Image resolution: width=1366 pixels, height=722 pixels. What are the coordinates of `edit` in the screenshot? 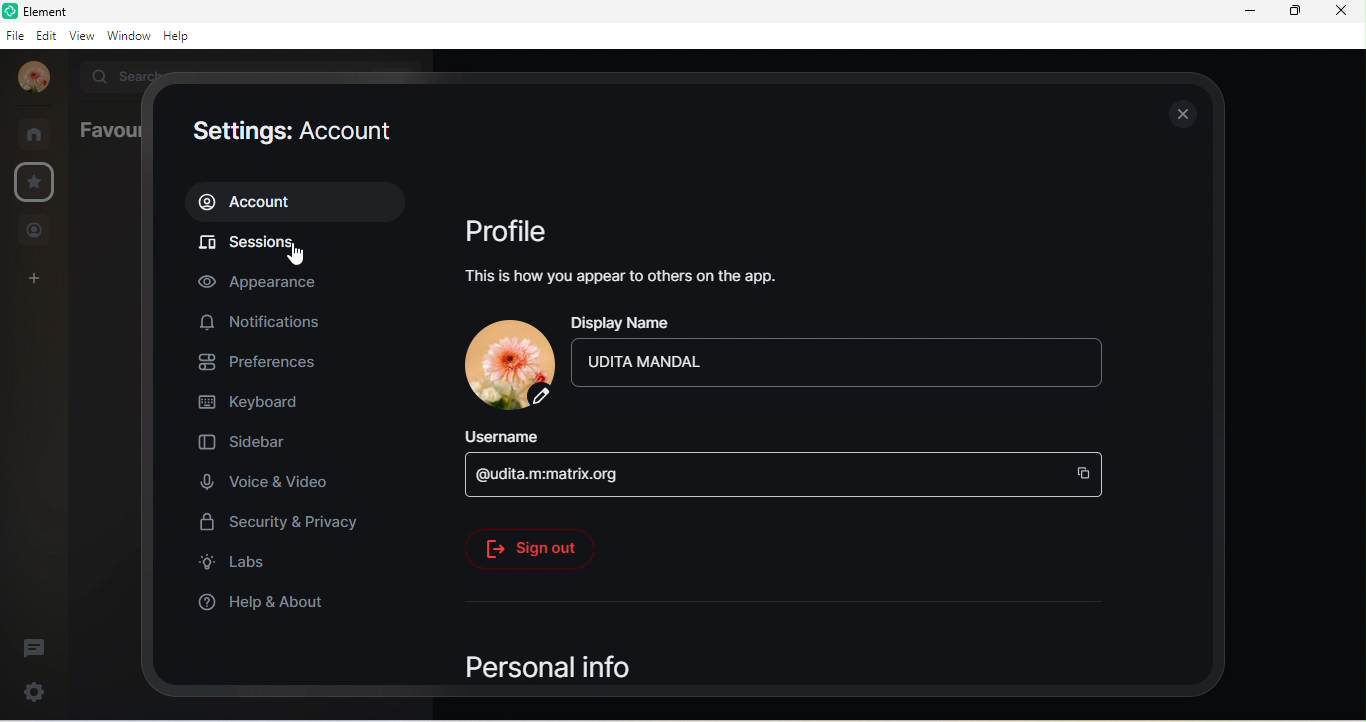 It's located at (47, 35).